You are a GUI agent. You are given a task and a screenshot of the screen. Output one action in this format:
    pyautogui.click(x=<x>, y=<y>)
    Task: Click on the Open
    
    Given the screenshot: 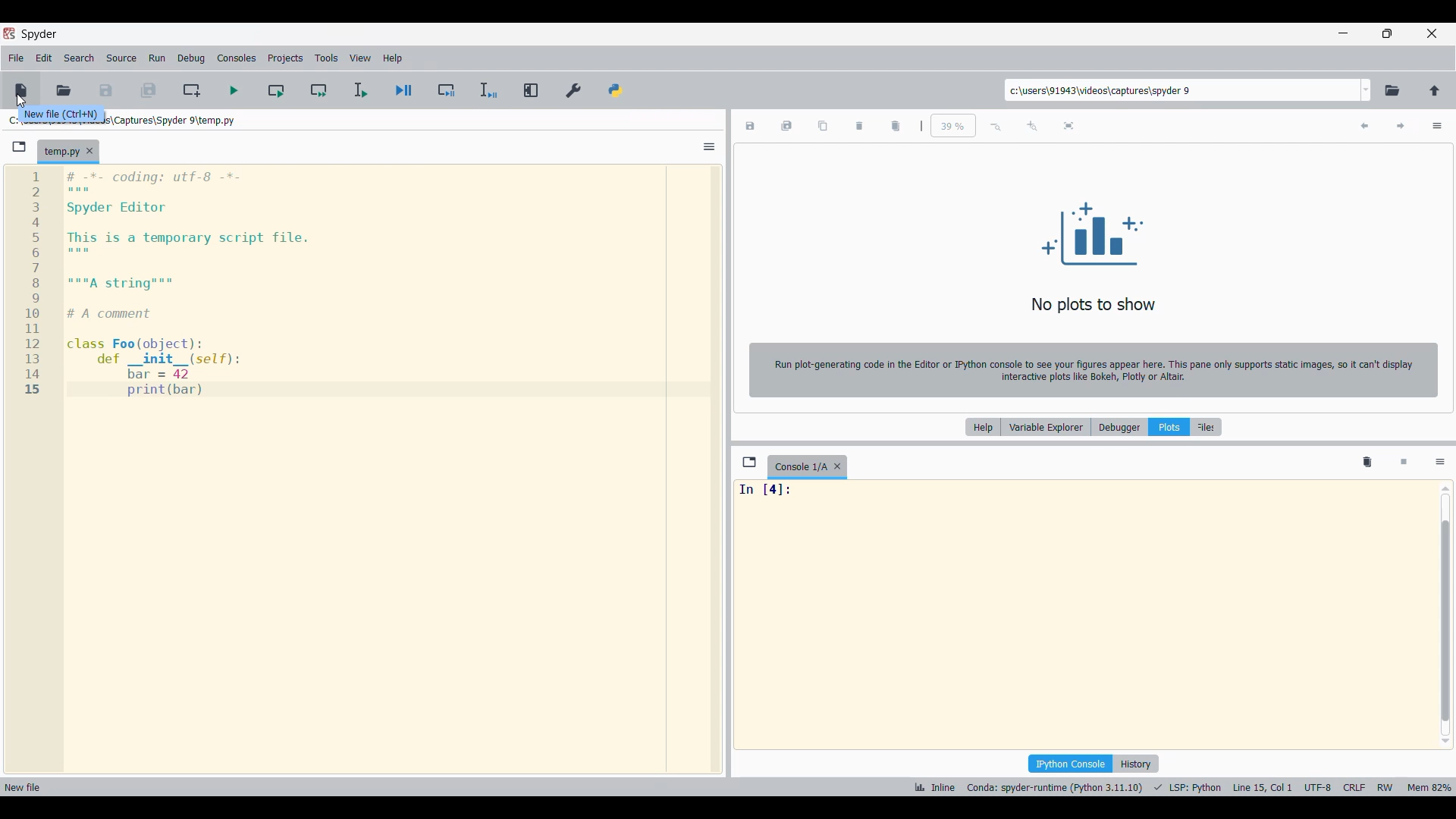 What is the action you would take?
    pyautogui.click(x=64, y=89)
    